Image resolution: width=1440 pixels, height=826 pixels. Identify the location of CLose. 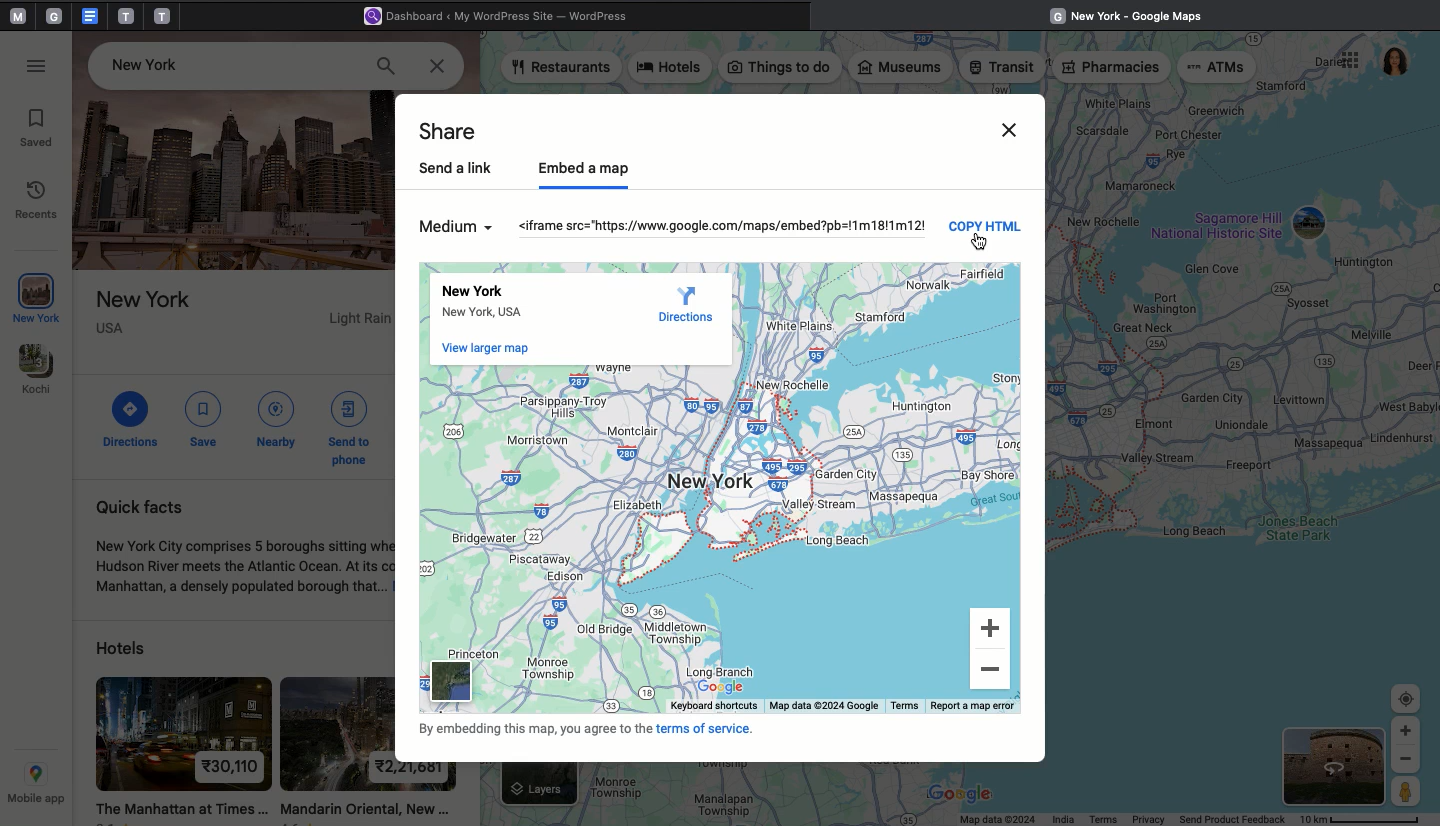
(1008, 125).